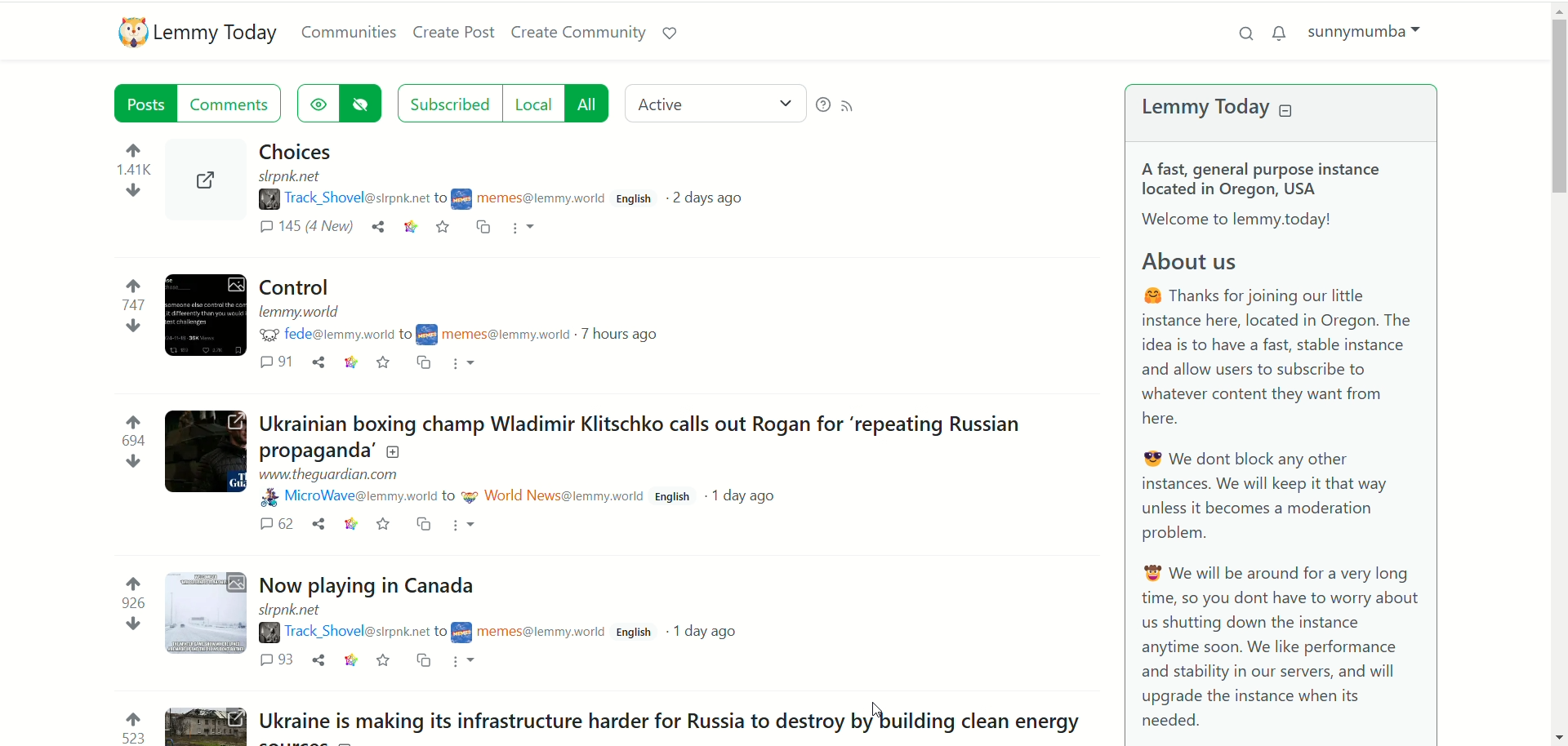  What do you see at coordinates (203, 452) in the screenshot?
I see `Expand the post with the image` at bounding box center [203, 452].